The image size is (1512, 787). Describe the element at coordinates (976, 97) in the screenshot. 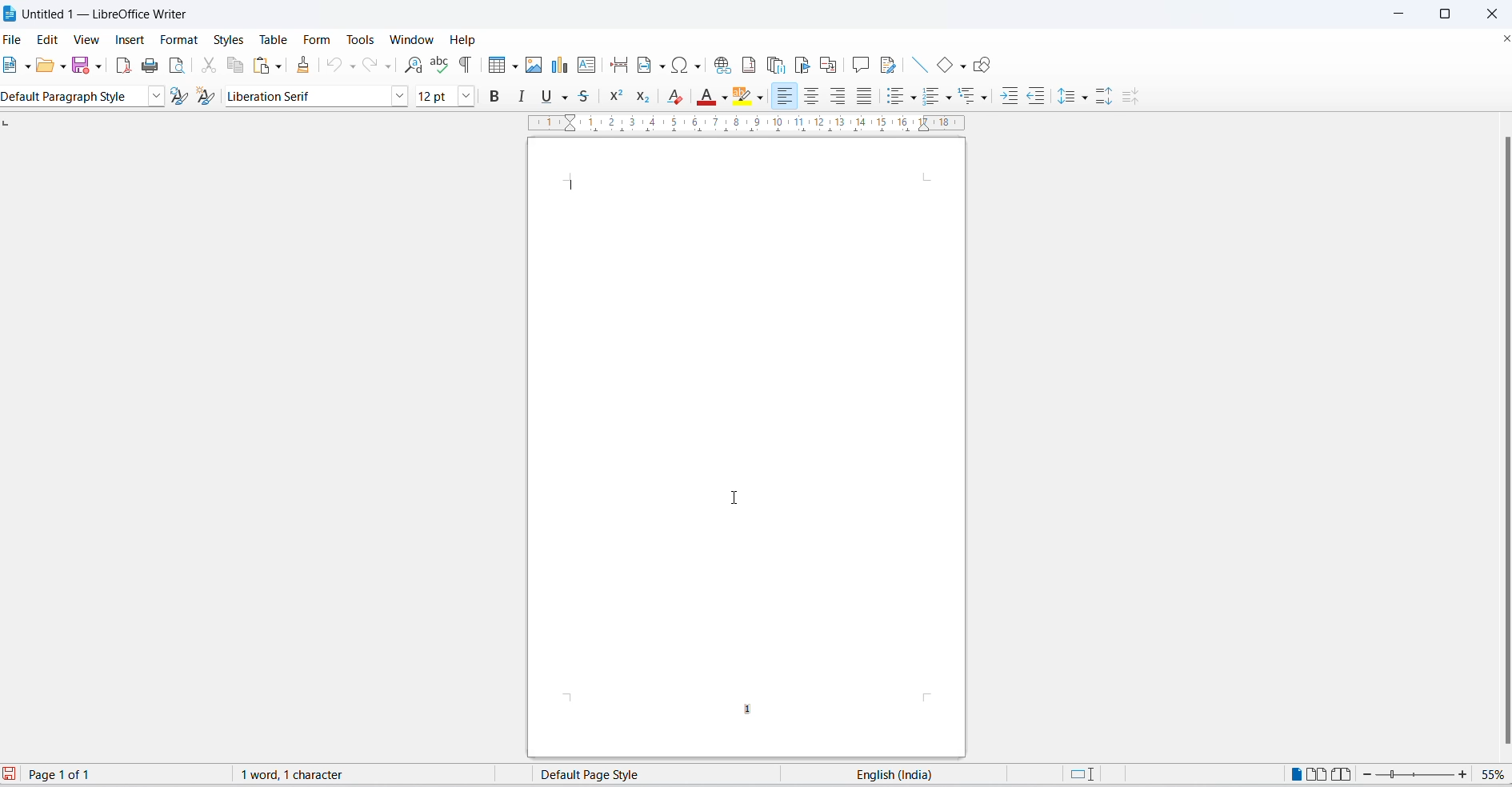

I see `select outline format` at that location.